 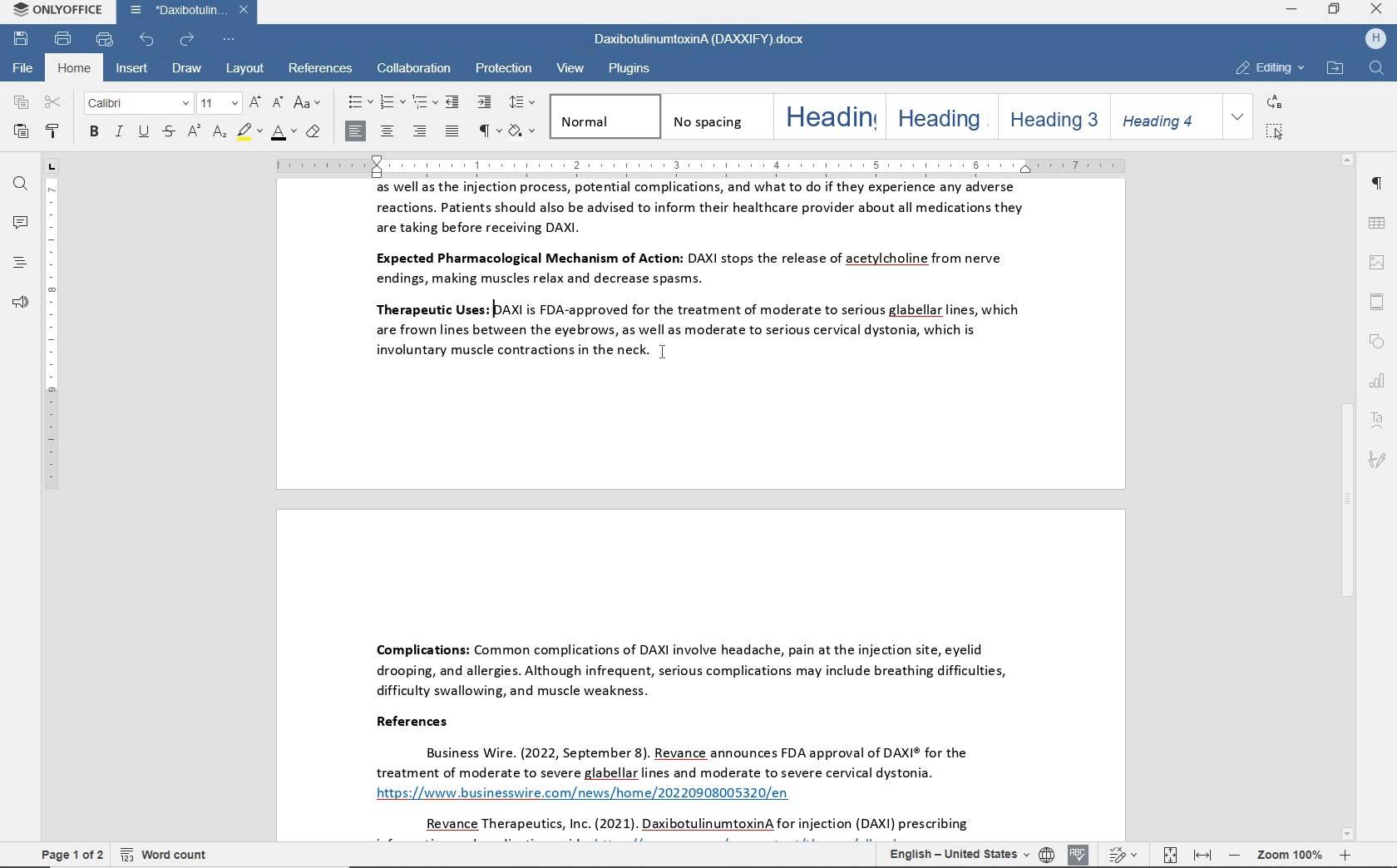 I want to click on quick print, so click(x=106, y=40).